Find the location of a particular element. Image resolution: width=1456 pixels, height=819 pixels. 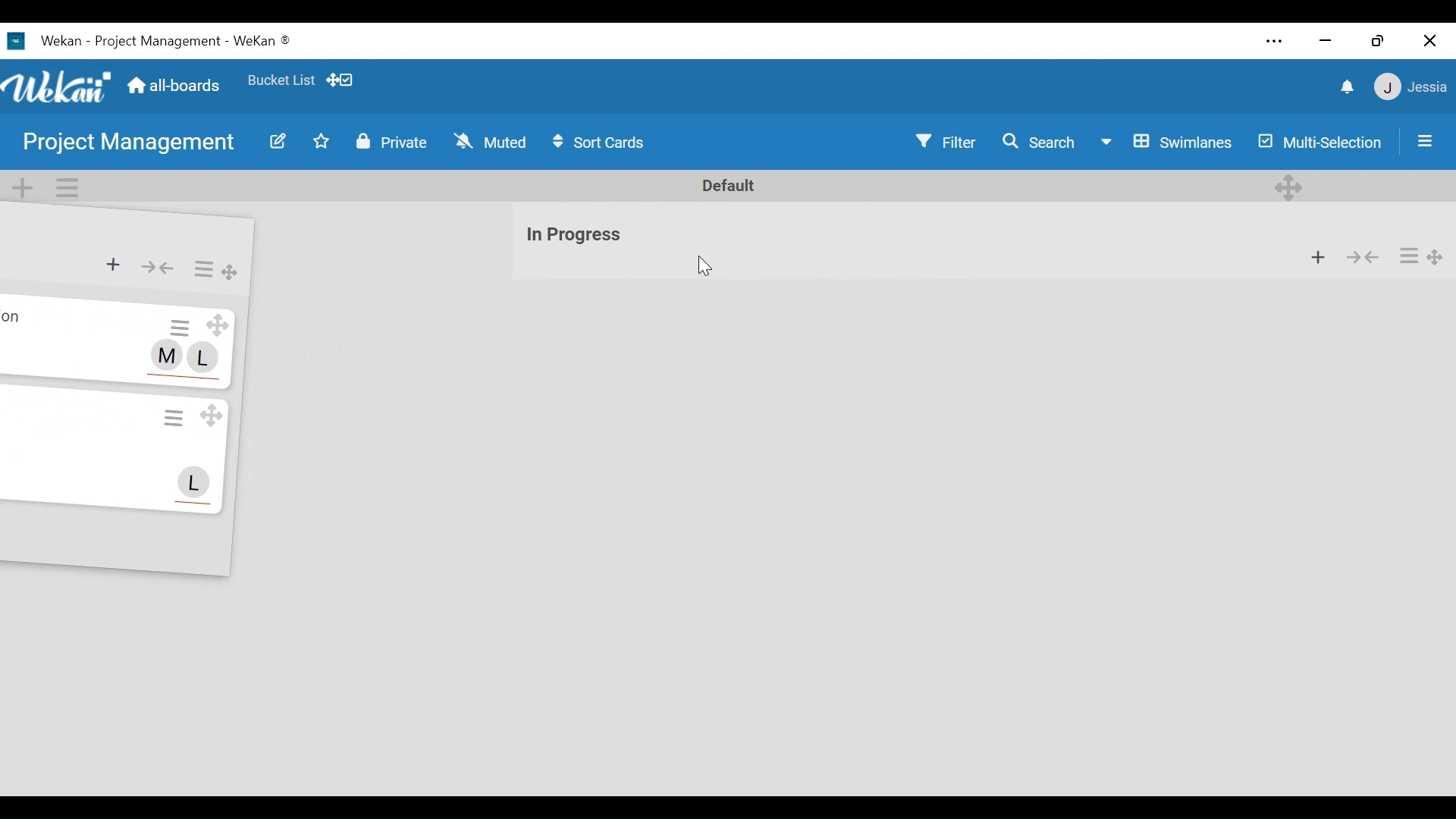

List Actions is located at coordinates (203, 271).